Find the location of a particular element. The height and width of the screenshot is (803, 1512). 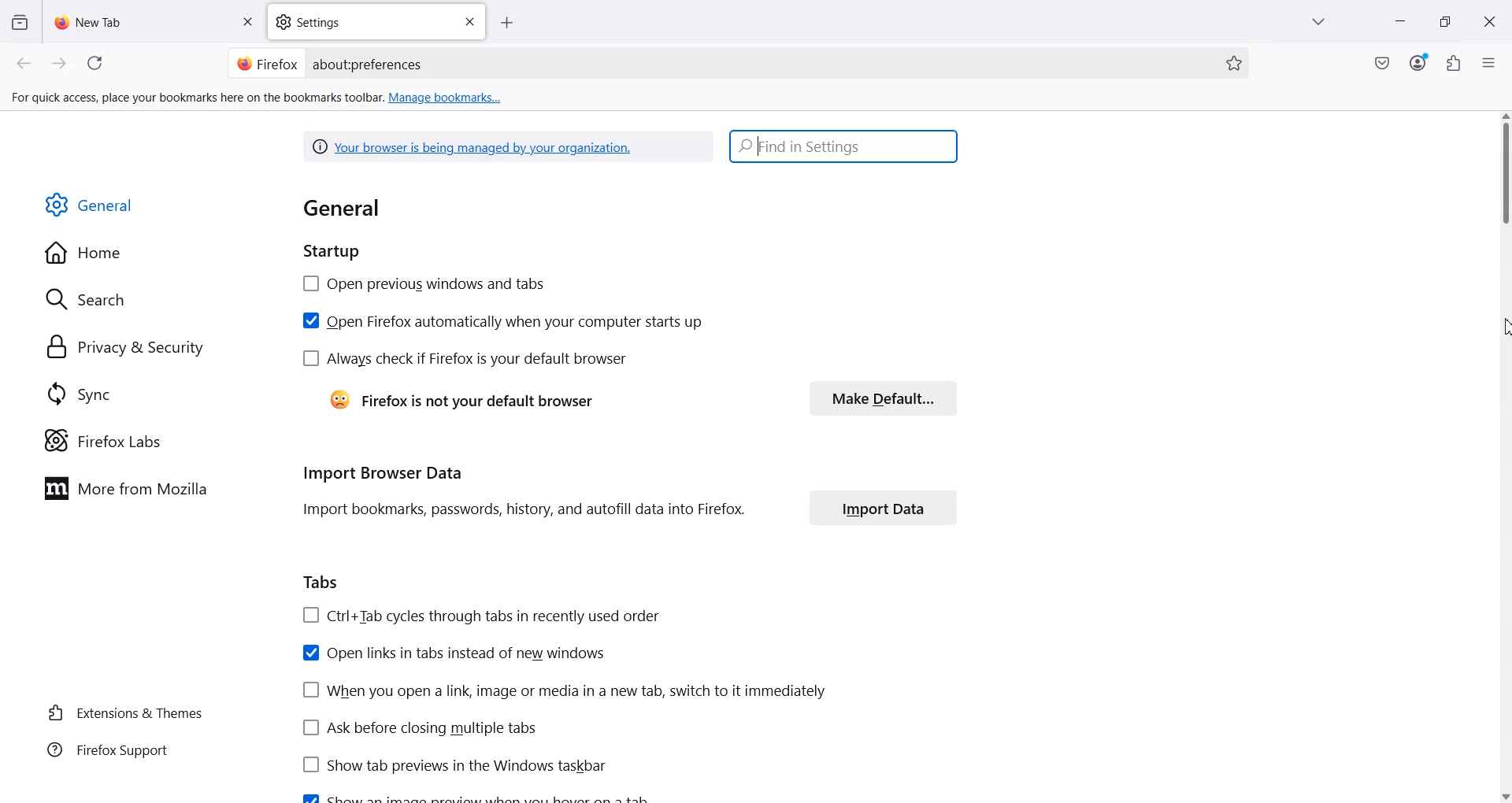

Make Default... is located at coordinates (881, 398).